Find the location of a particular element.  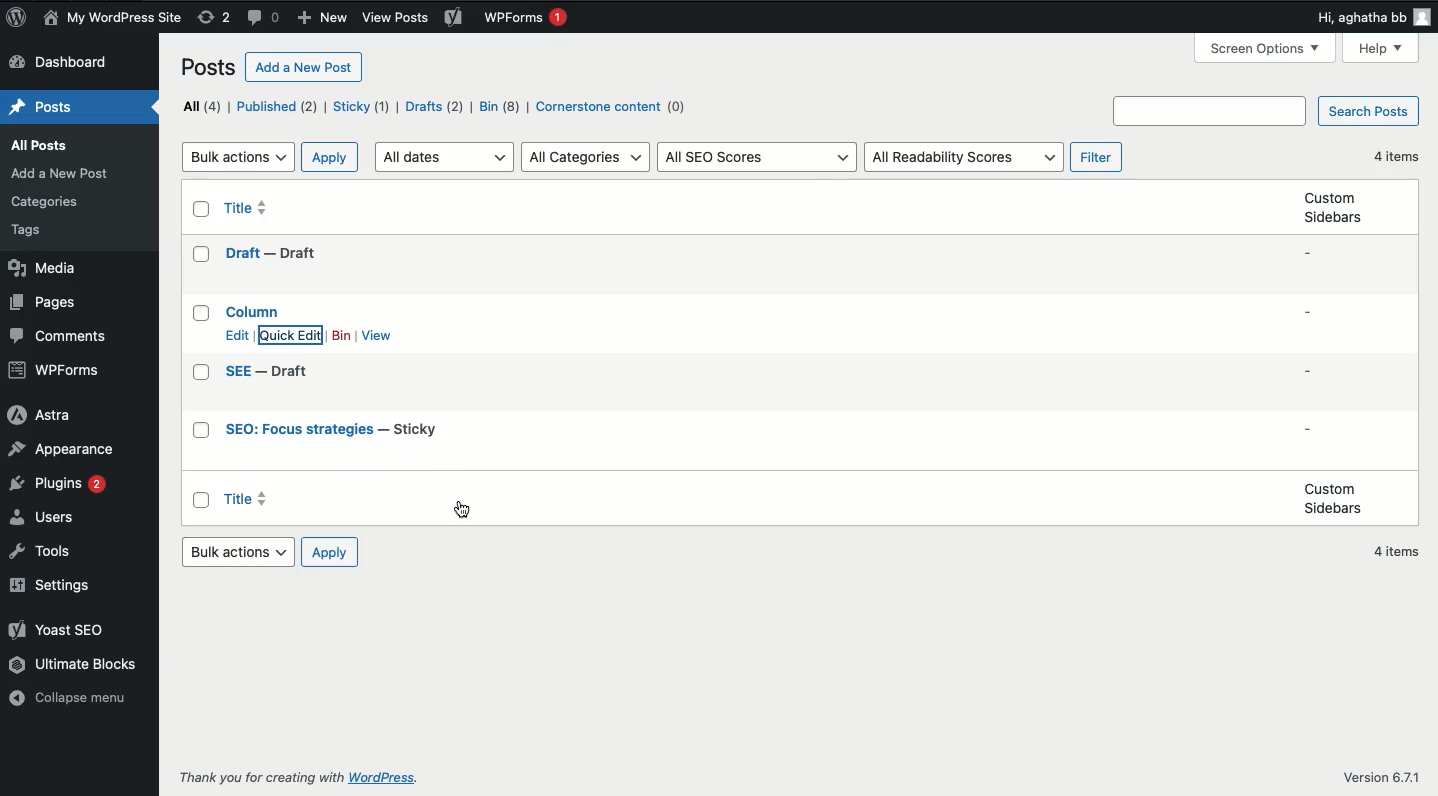

Title is located at coordinates (244, 499).